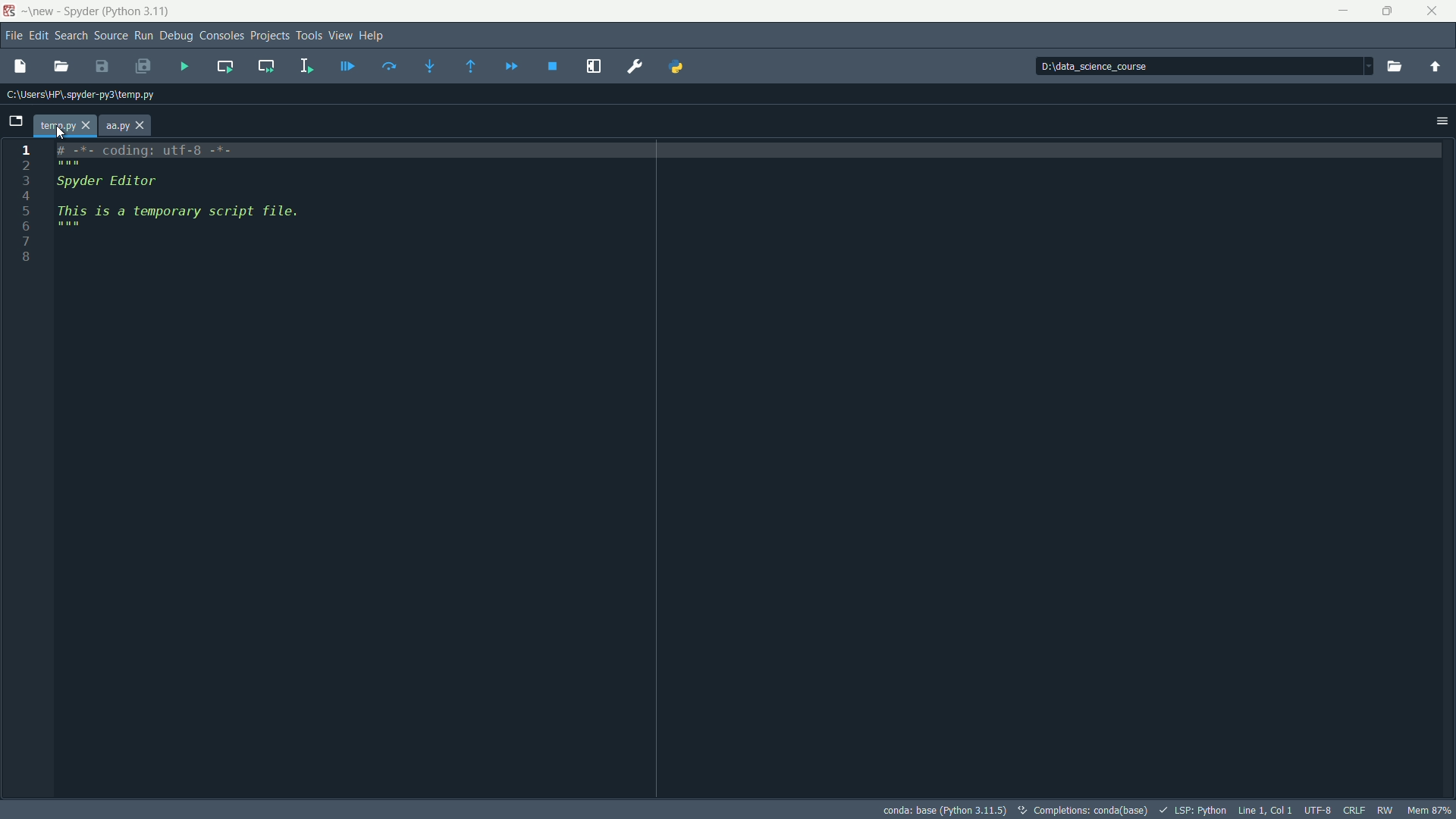 The height and width of the screenshot is (819, 1456). What do you see at coordinates (61, 244) in the screenshot?
I see `7` at bounding box center [61, 244].